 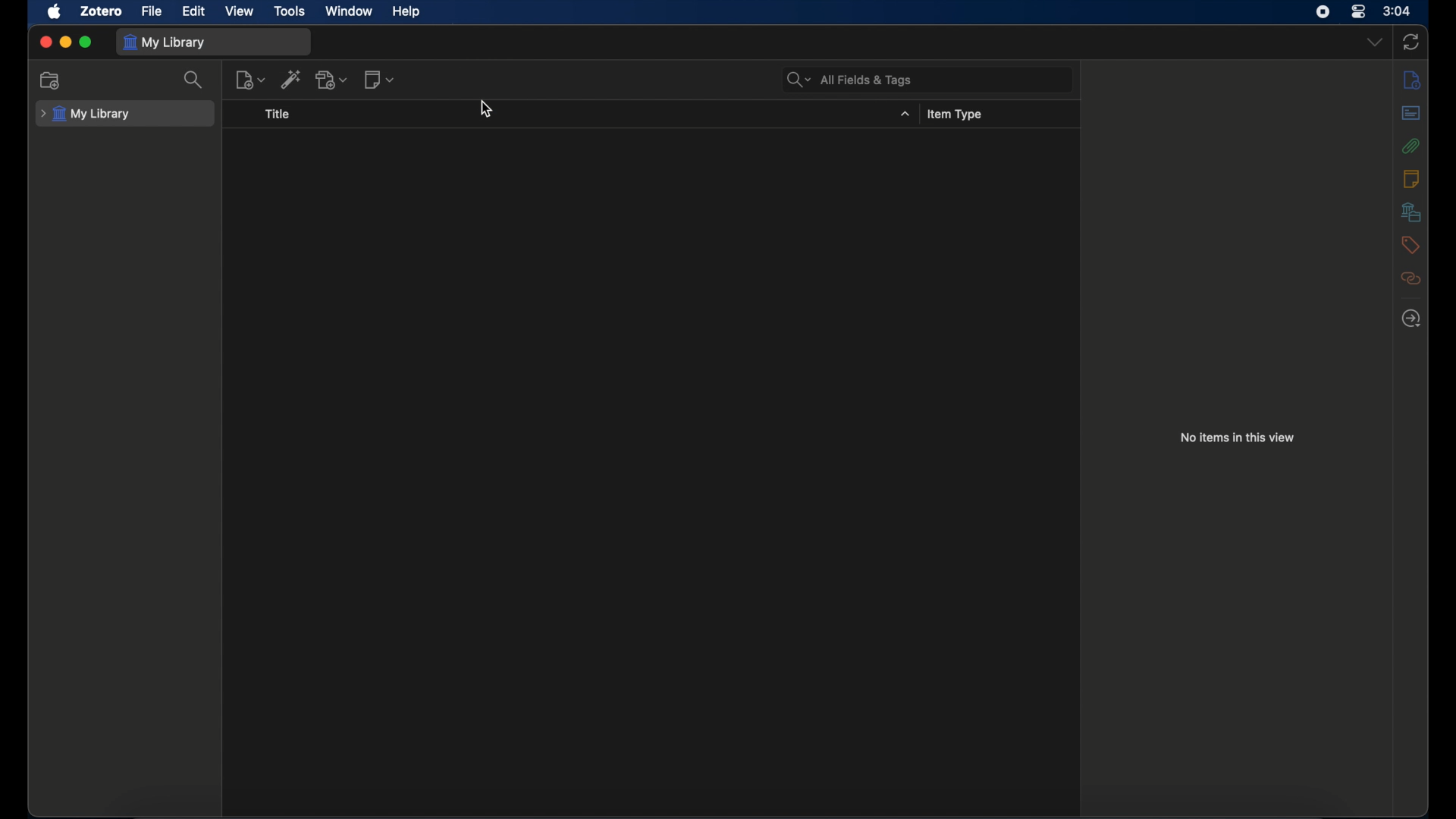 What do you see at coordinates (1376, 41) in the screenshot?
I see `dropdown` at bounding box center [1376, 41].